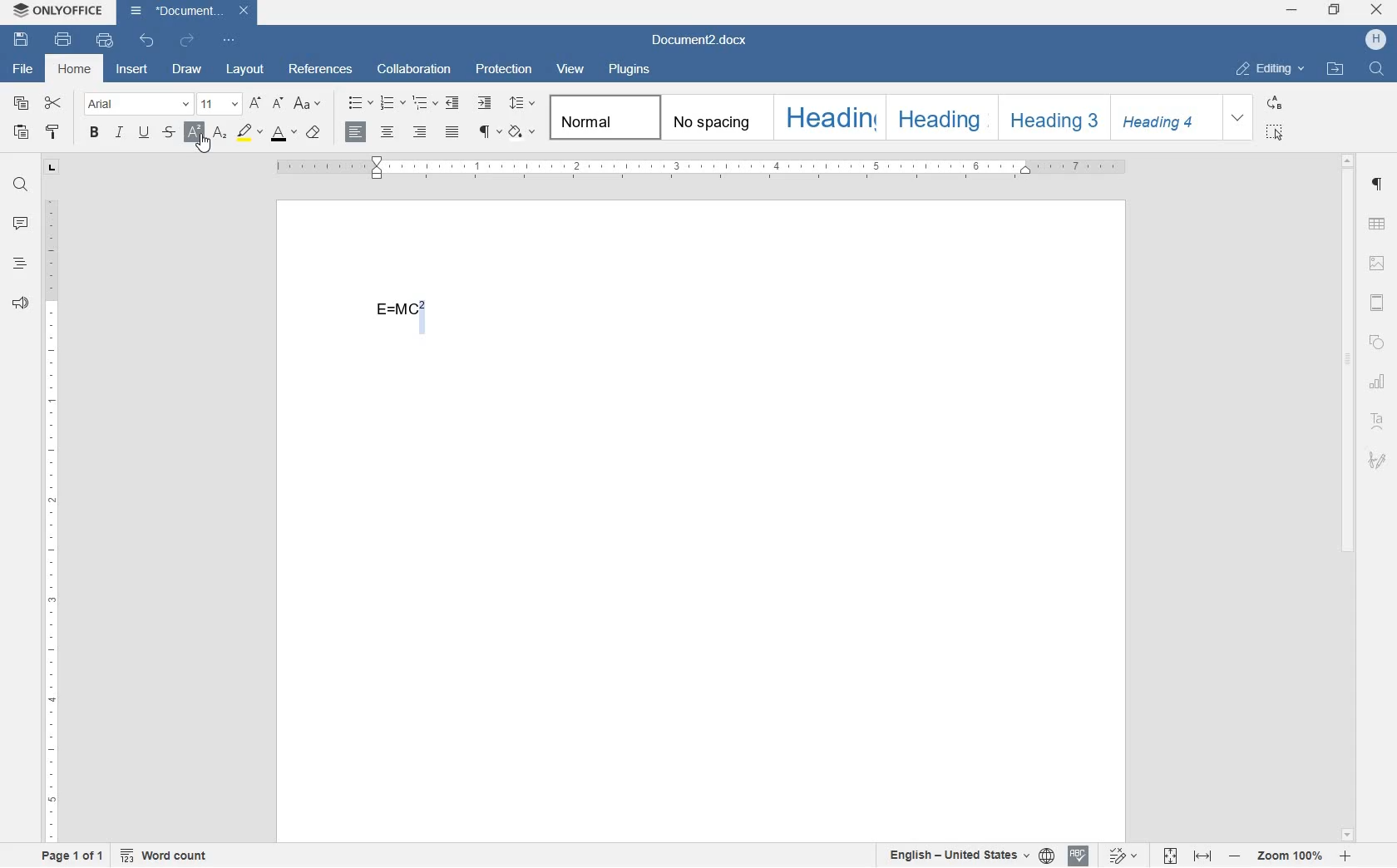 The image size is (1397, 868). I want to click on word count, so click(166, 856).